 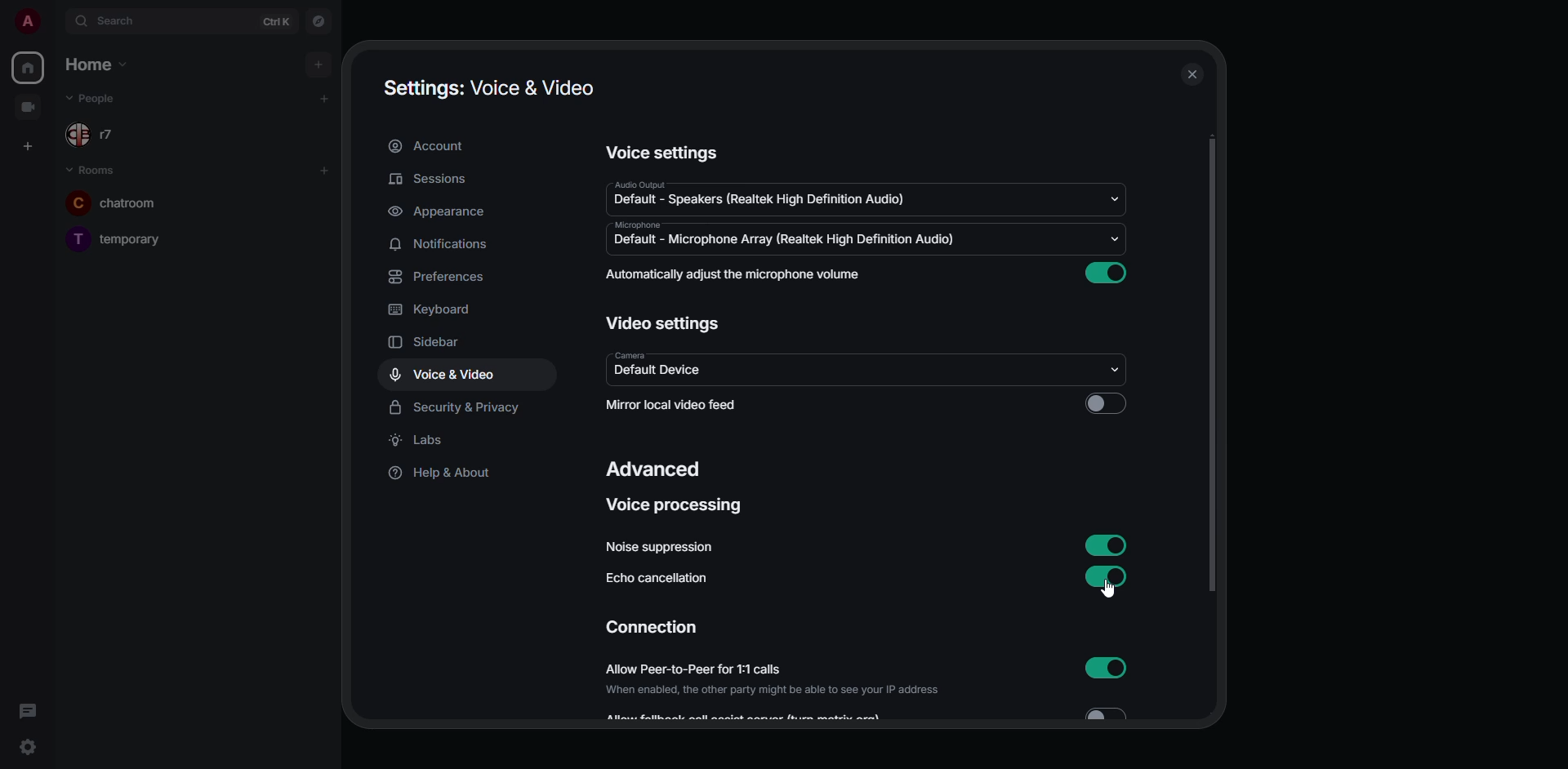 I want to click on quick settings, so click(x=29, y=747).